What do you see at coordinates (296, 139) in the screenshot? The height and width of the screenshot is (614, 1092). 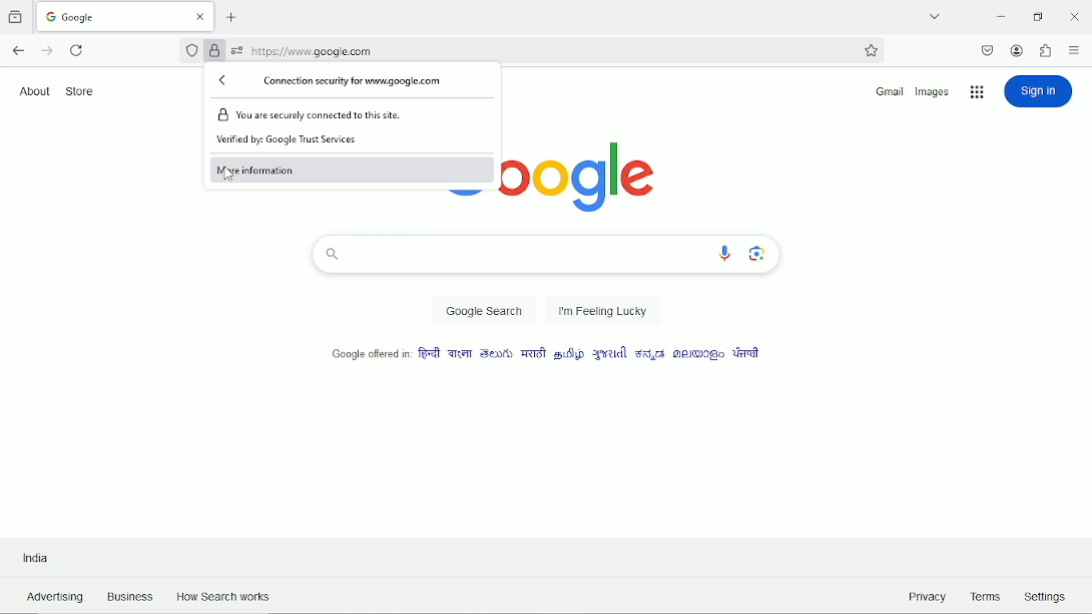 I see `Verified by Google Trust Services` at bounding box center [296, 139].